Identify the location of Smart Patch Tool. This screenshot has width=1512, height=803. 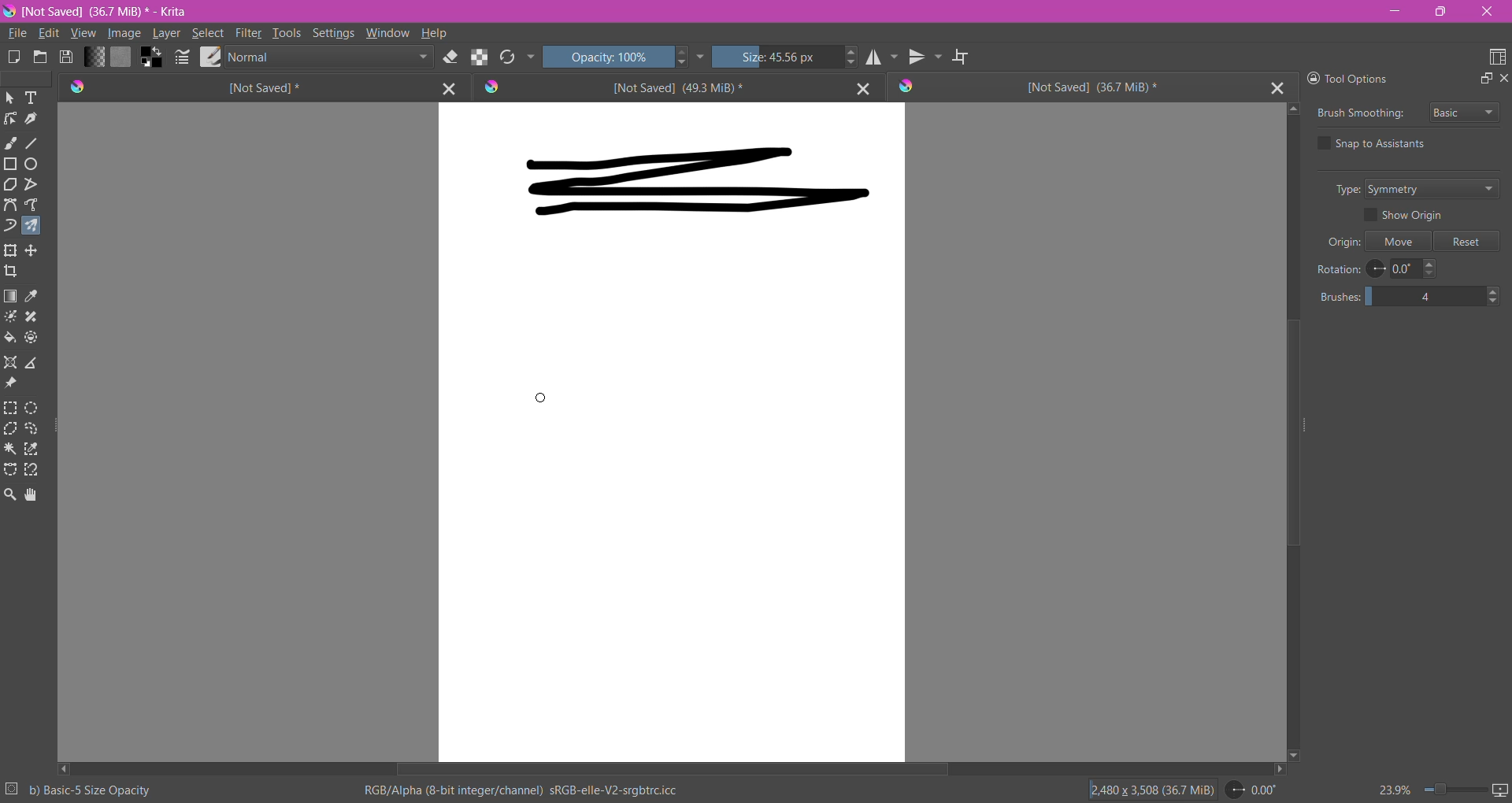
(32, 317).